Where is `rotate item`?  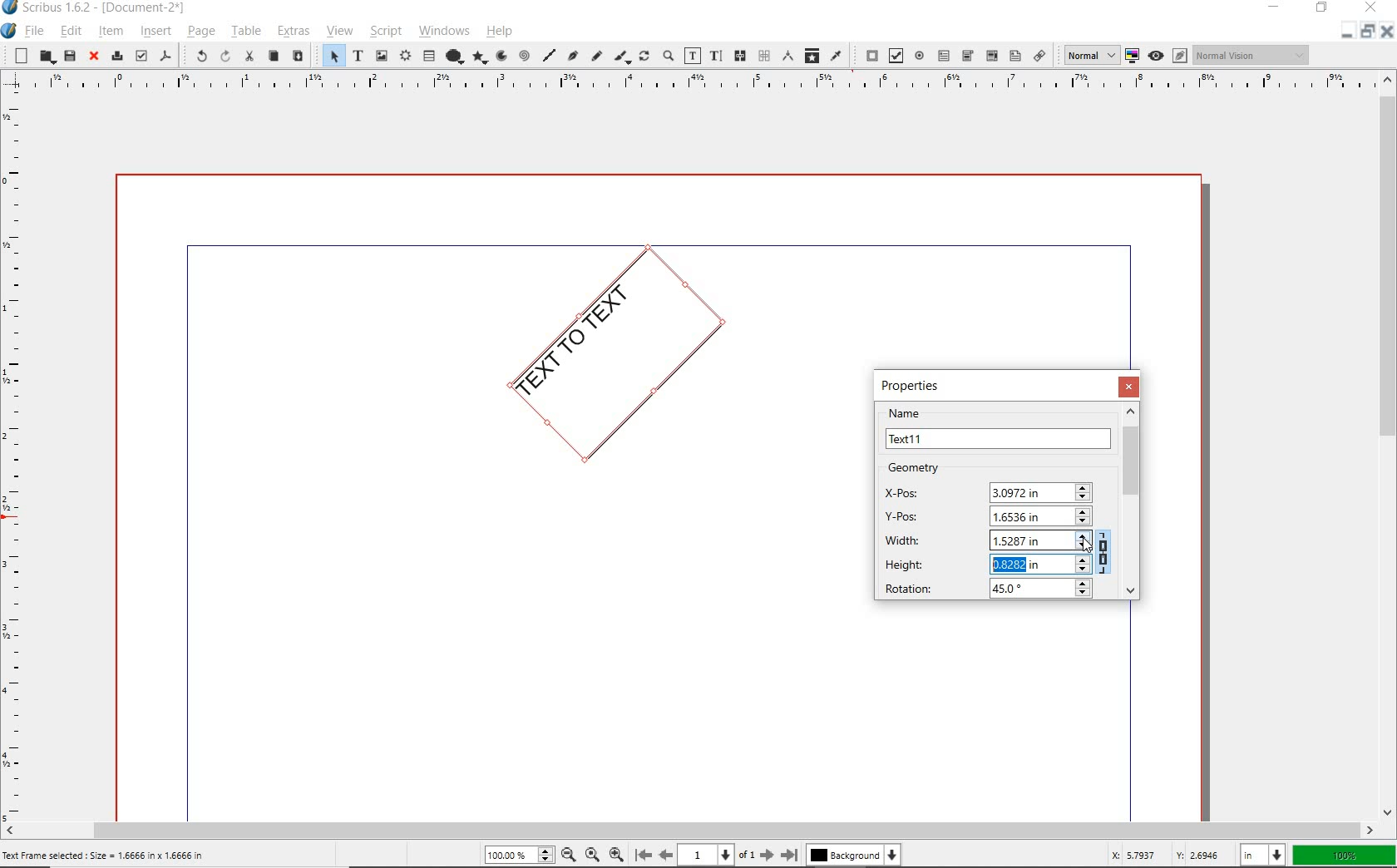
rotate item is located at coordinates (643, 57).